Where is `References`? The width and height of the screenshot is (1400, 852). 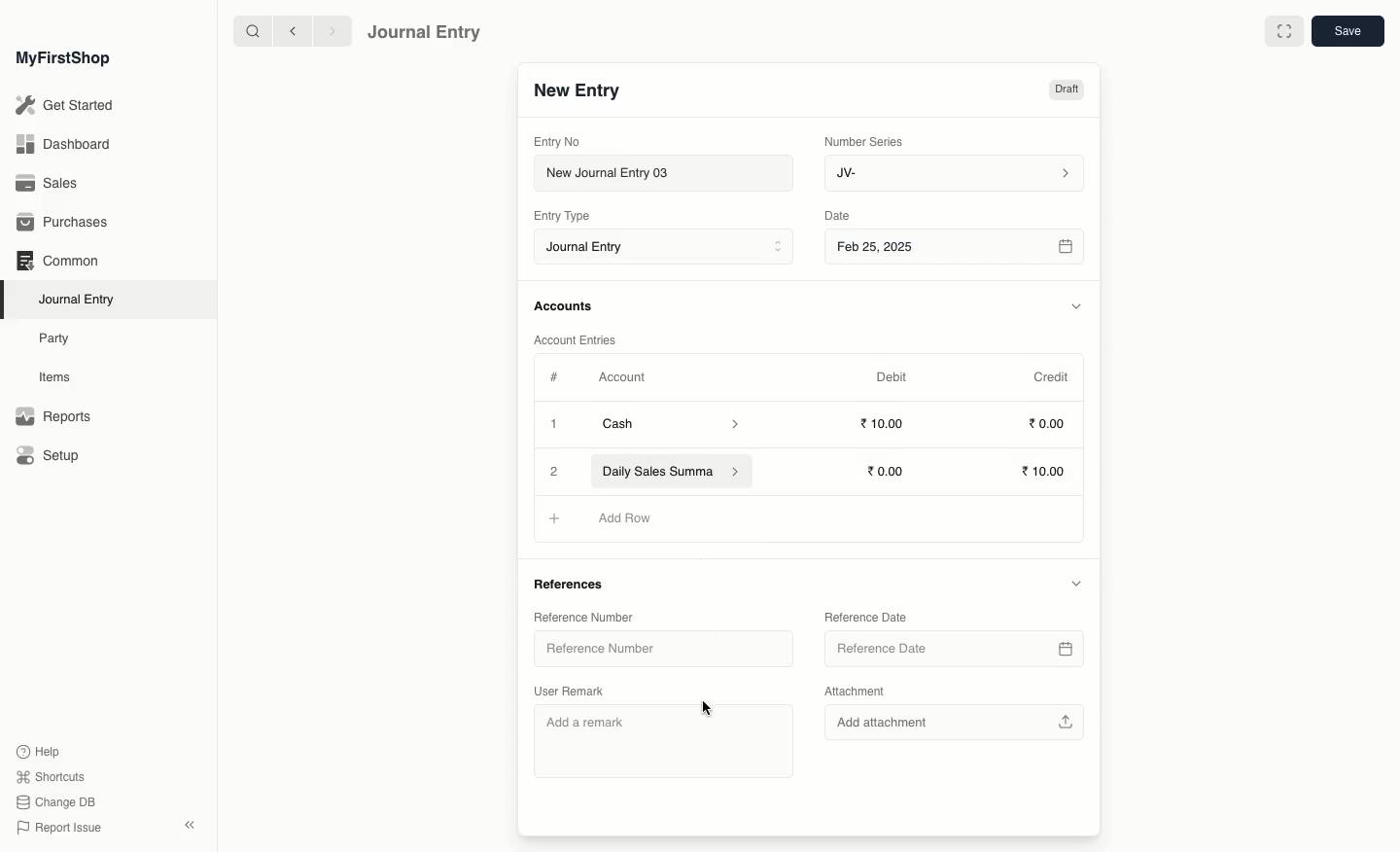
References is located at coordinates (574, 586).